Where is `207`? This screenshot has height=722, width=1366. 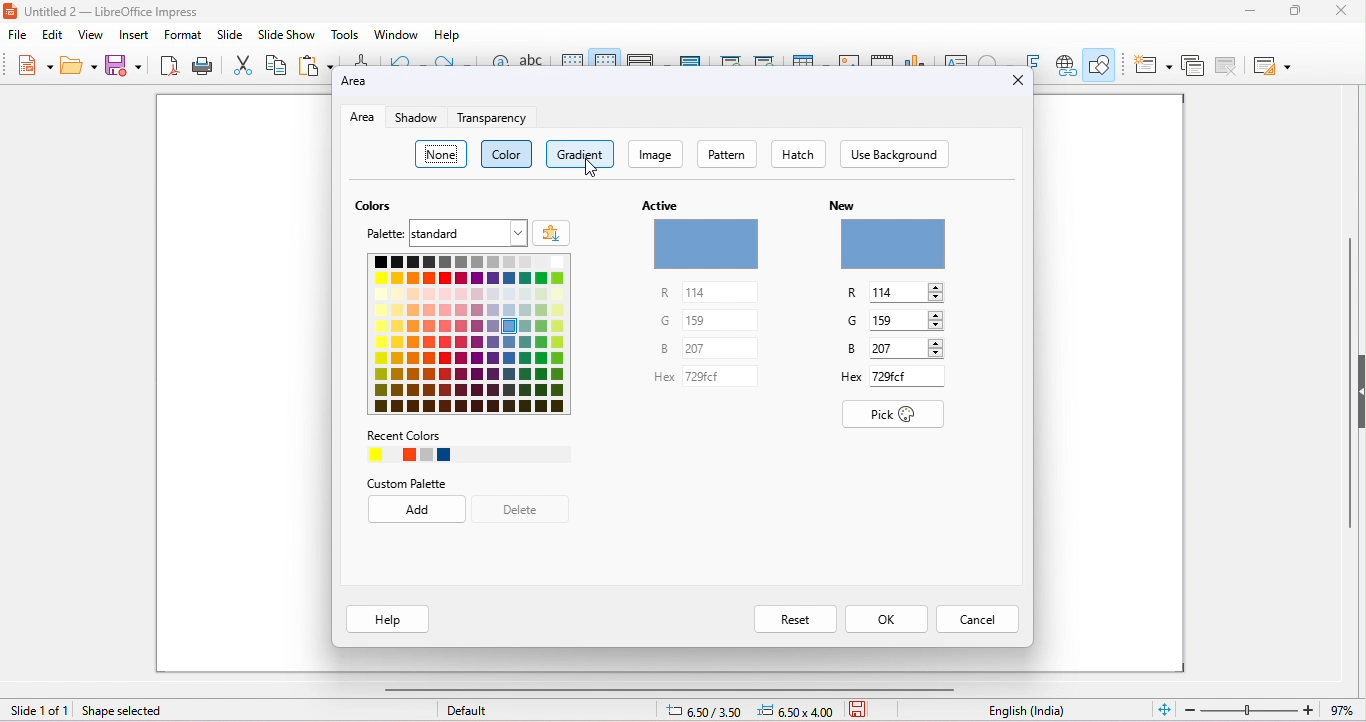
207 is located at coordinates (908, 349).